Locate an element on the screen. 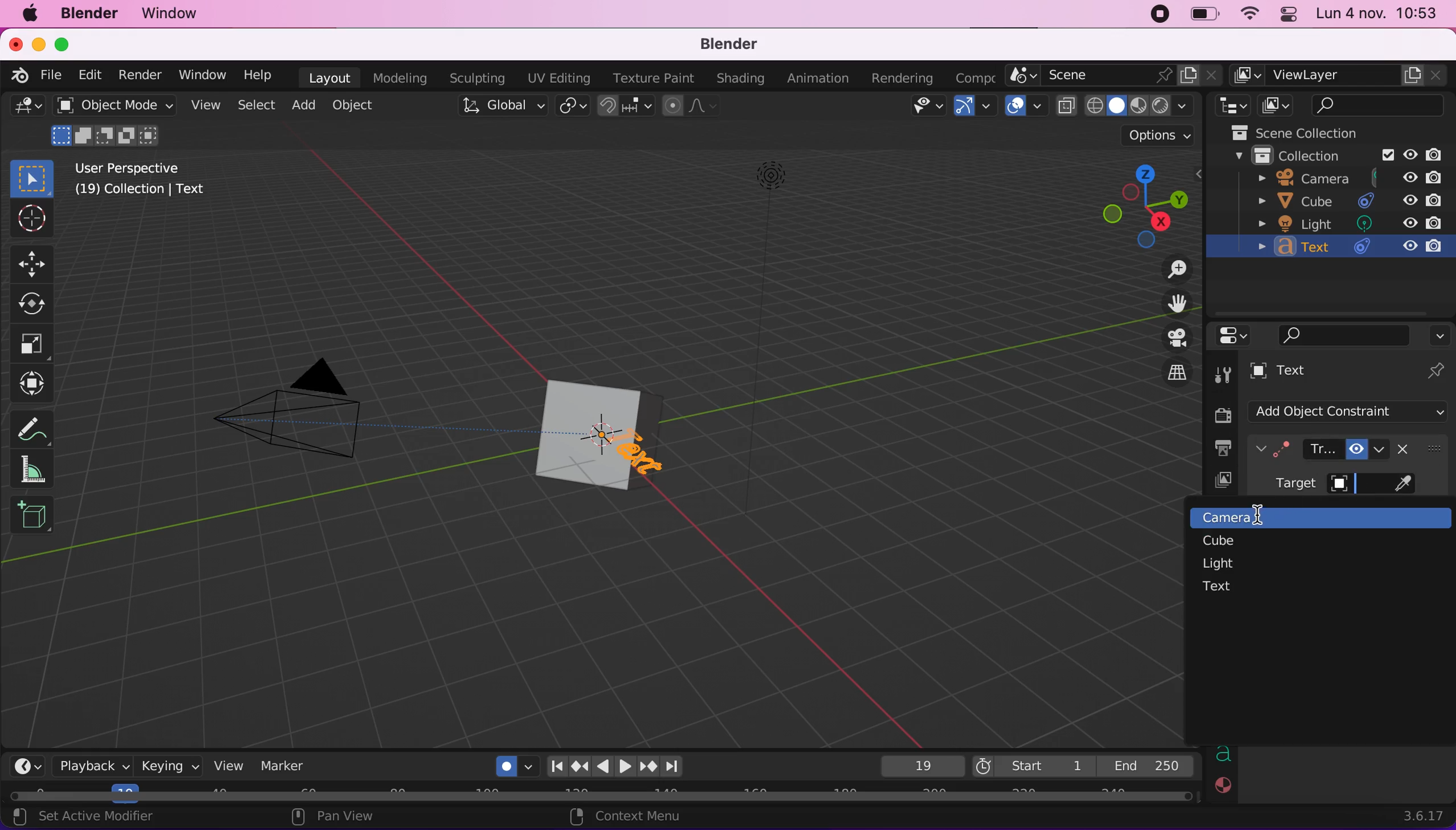 The image size is (1456, 830). cube is located at coordinates (575, 436).